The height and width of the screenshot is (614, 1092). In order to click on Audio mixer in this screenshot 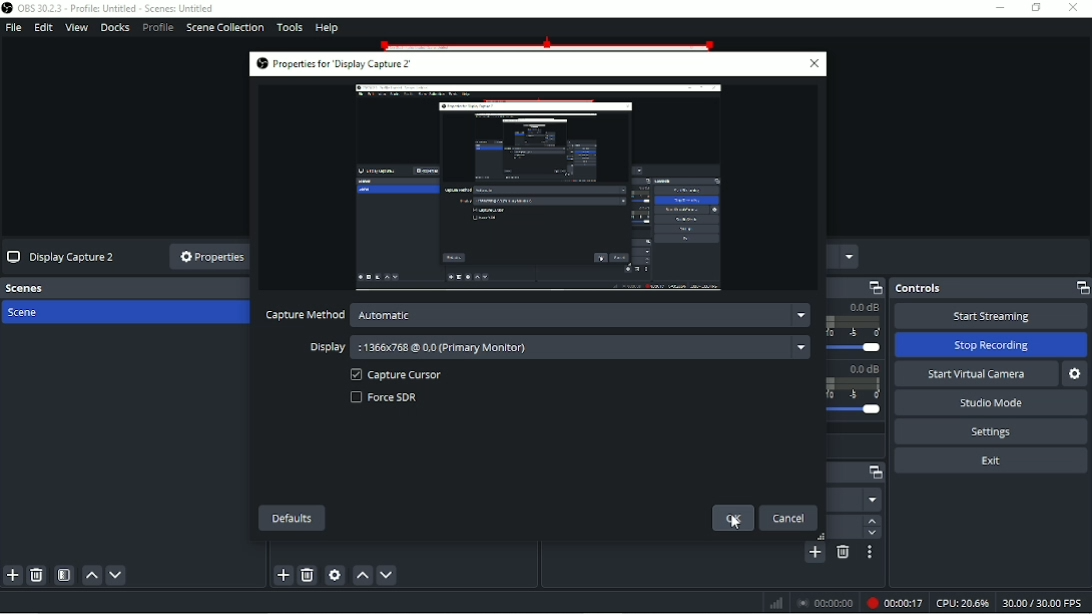, I will do `click(857, 287)`.